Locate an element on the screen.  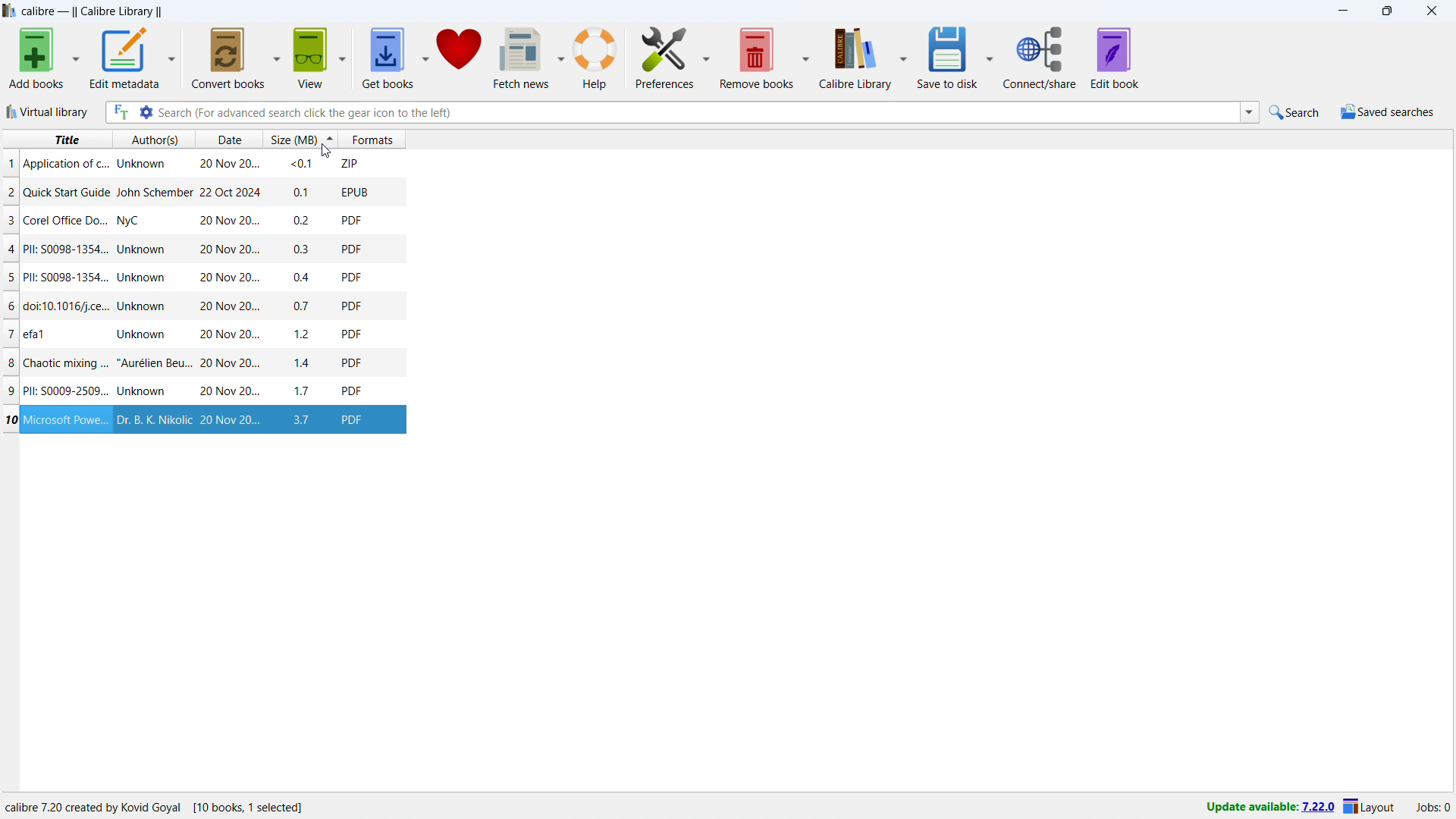
title is located at coordinates (64, 278).